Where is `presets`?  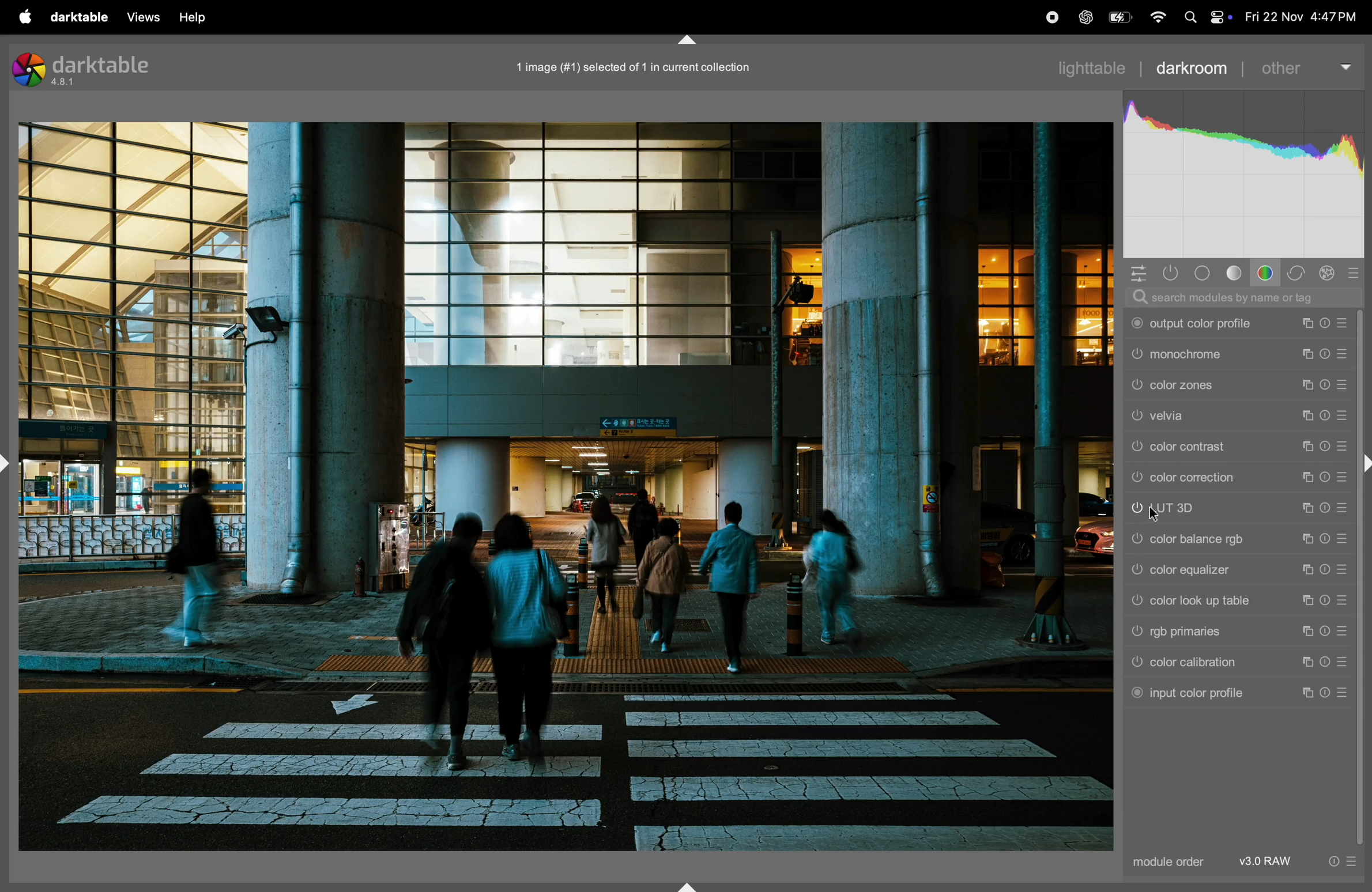
presets is located at coordinates (1343, 322).